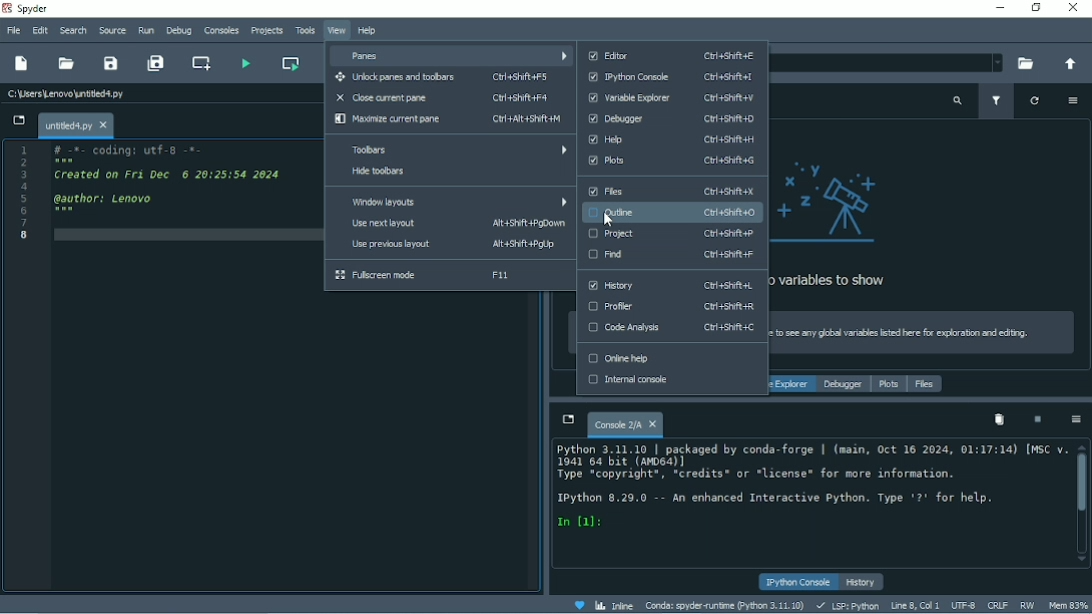 The image size is (1092, 614). I want to click on Tools, so click(305, 30).